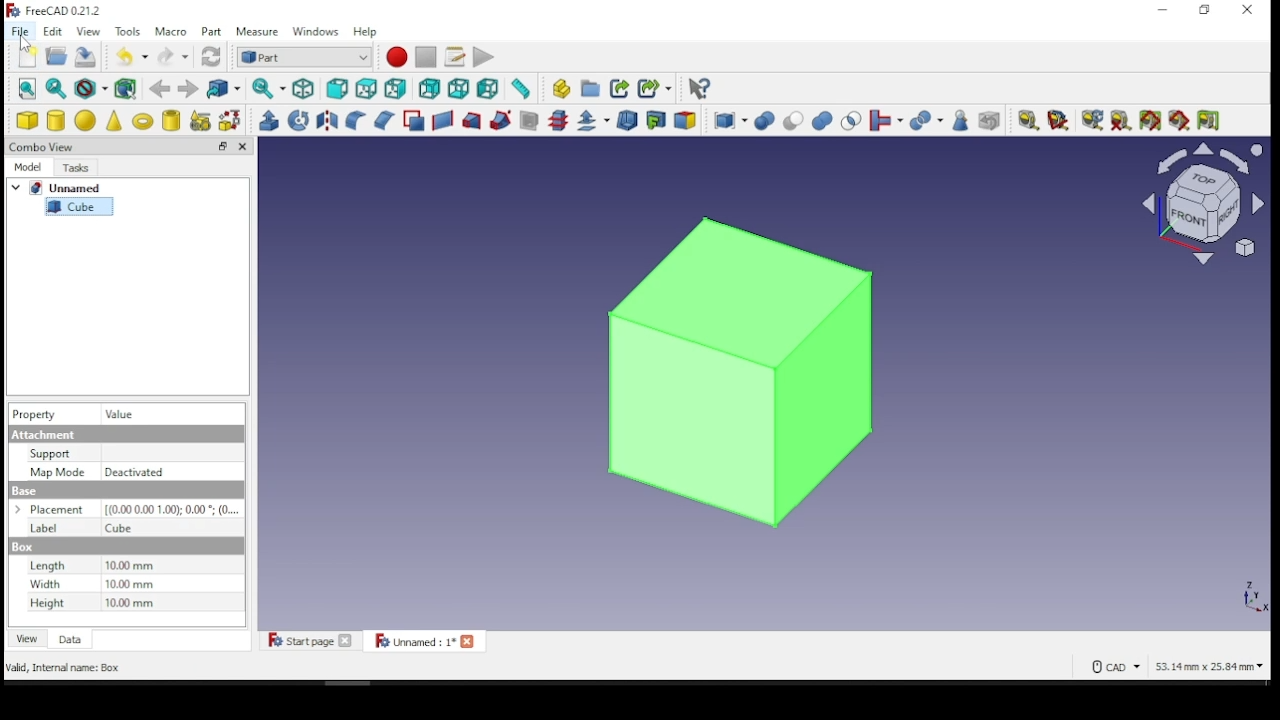  I want to click on sweep, so click(502, 120).